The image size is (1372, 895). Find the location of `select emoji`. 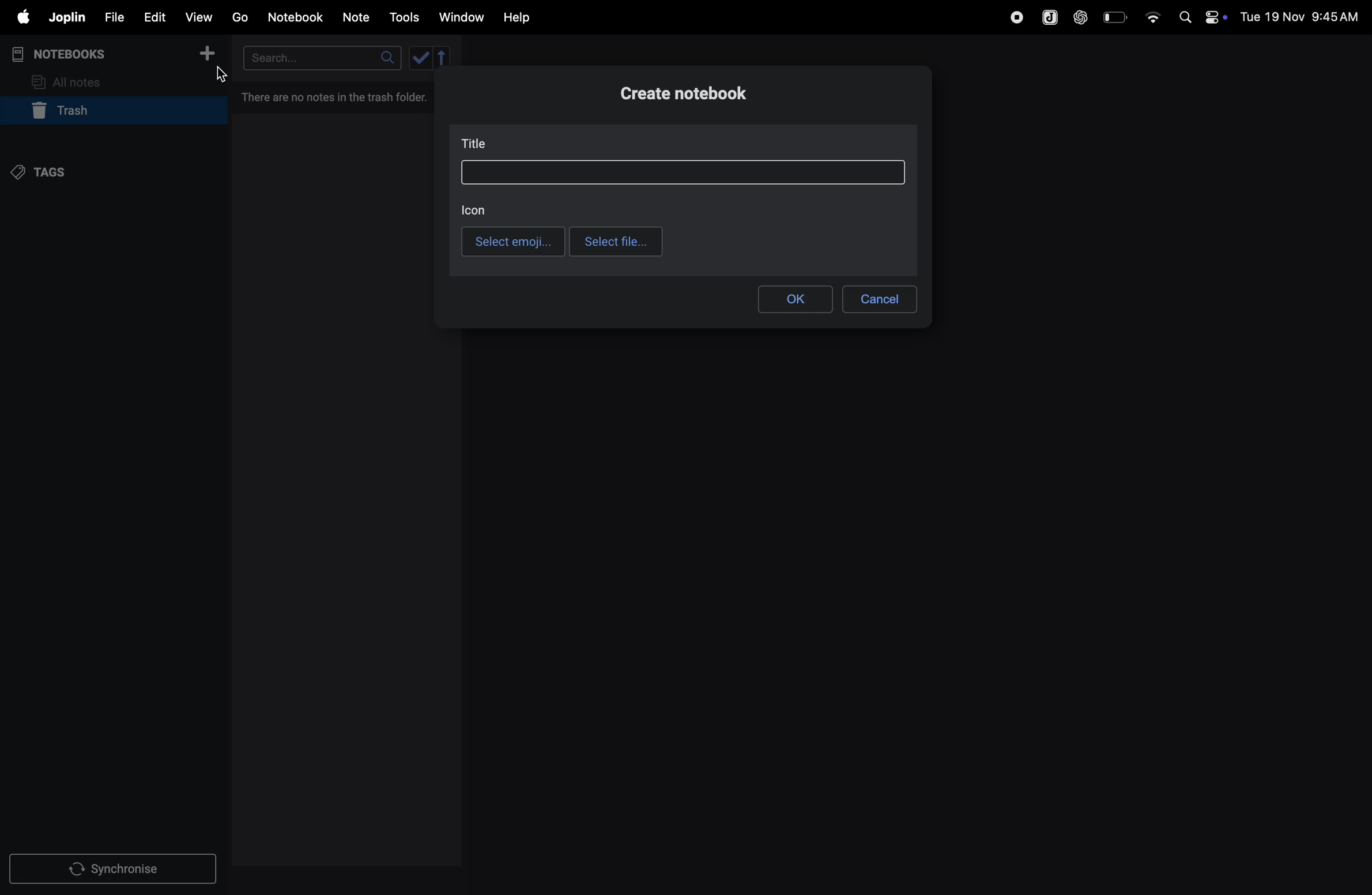

select emoji is located at coordinates (513, 241).